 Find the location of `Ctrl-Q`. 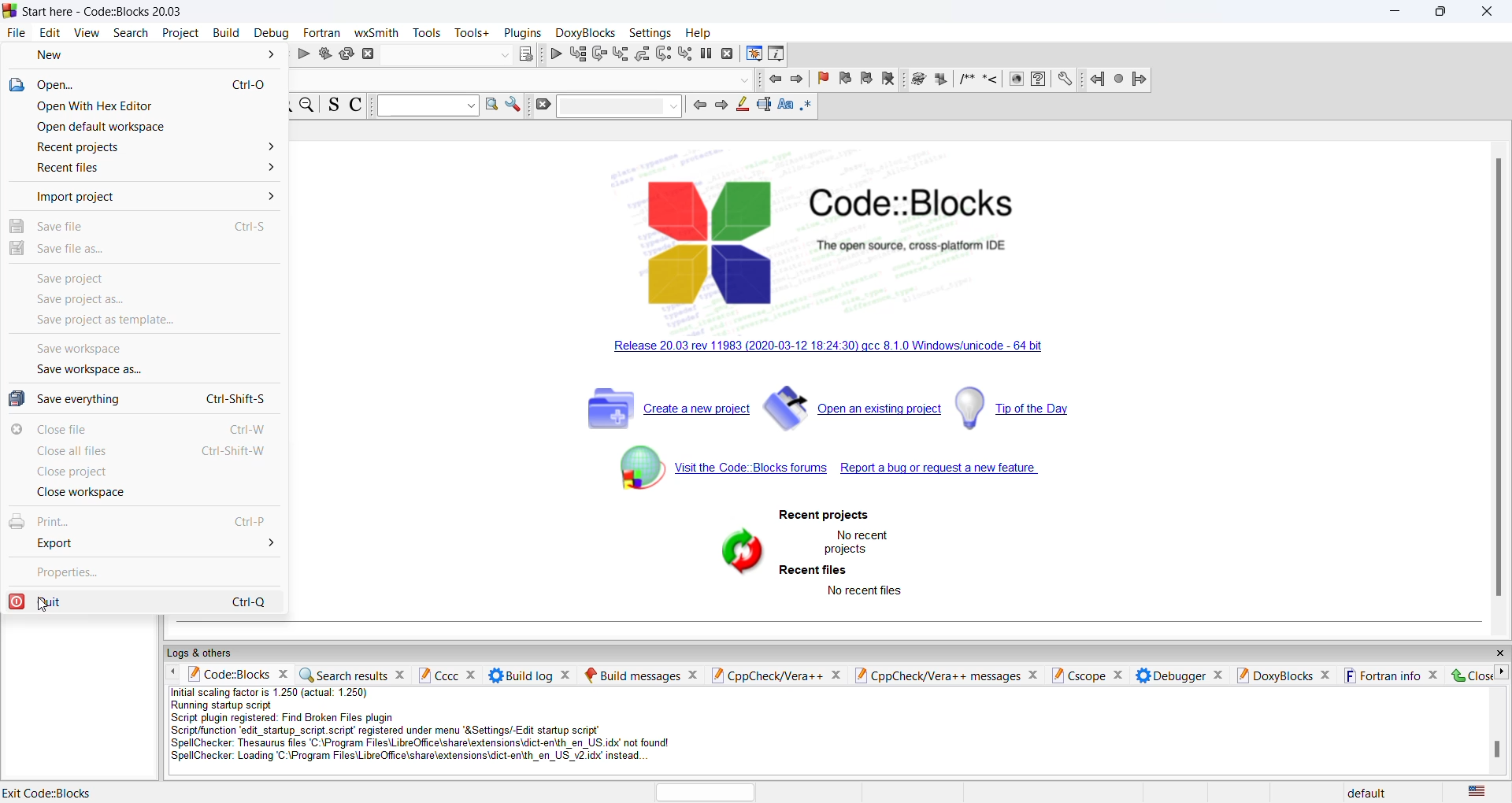

Ctrl-Q is located at coordinates (252, 601).